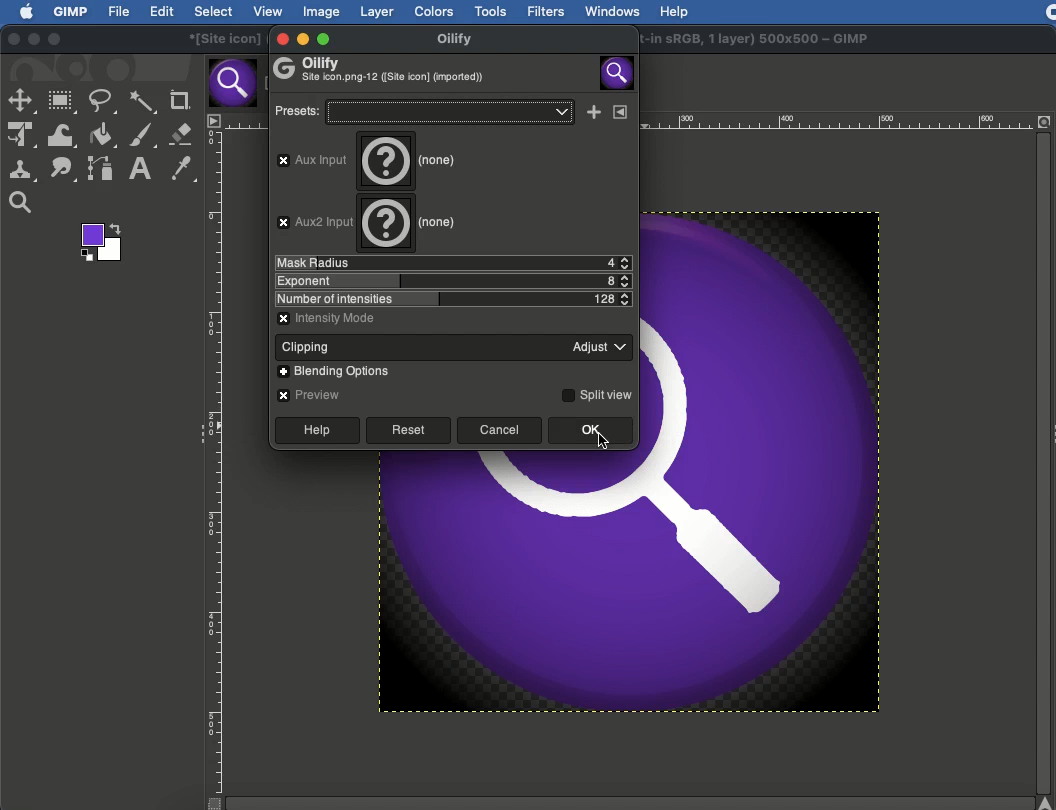 This screenshot has width=1056, height=810. I want to click on aux input, so click(314, 161).